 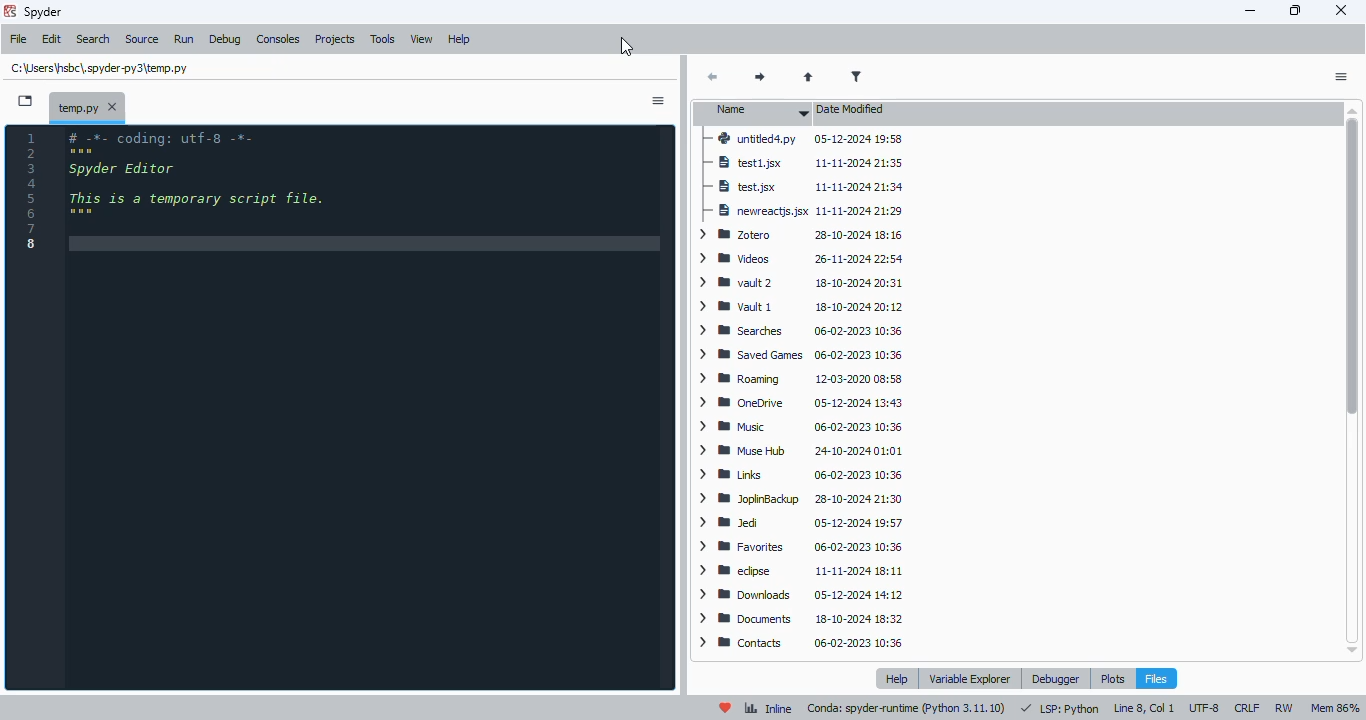 What do you see at coordinates (801, 426) in the screenshot?
I see `Music` at bounding box center [801, 426].